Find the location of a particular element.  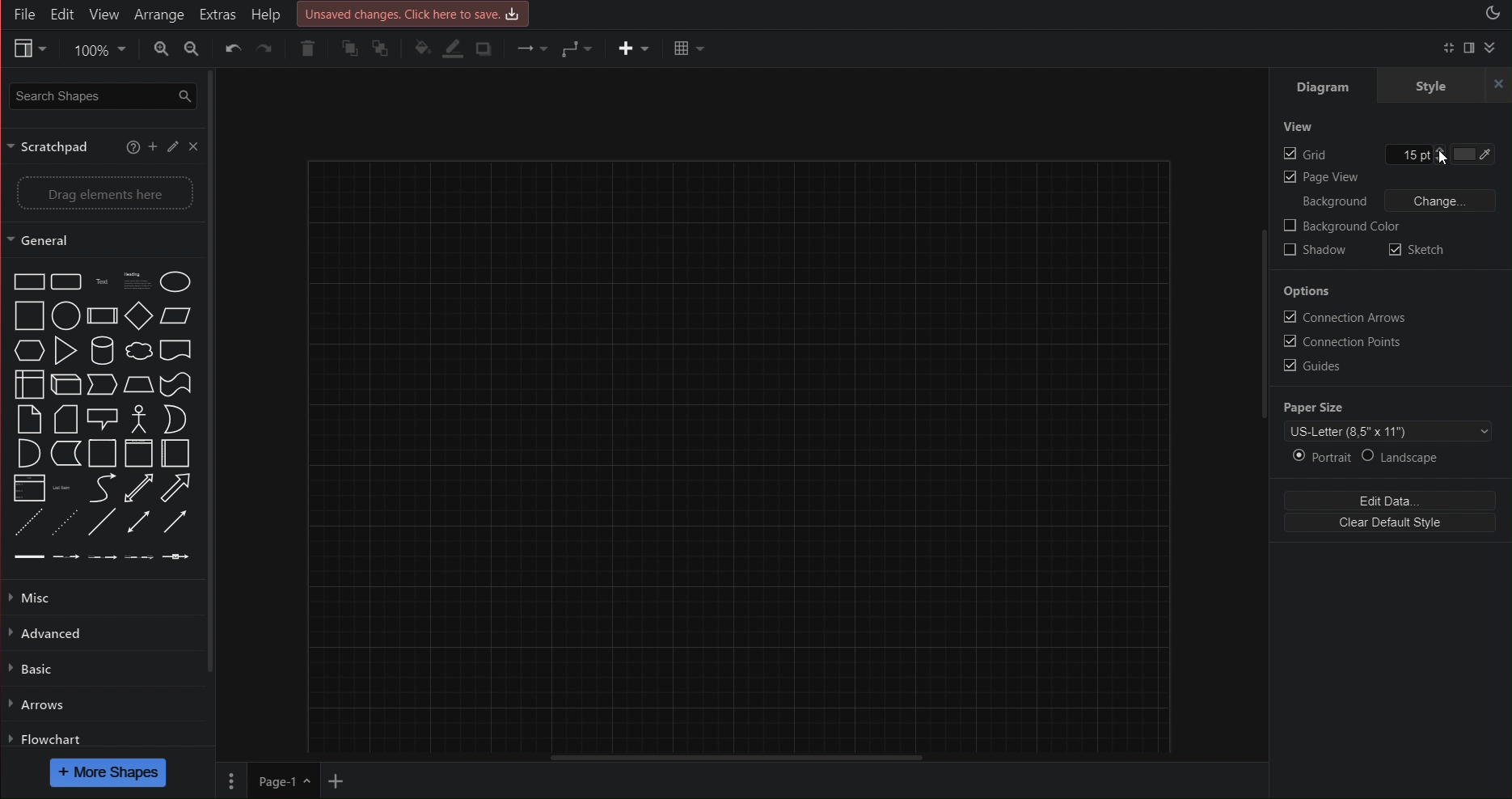

ellipse is located at coordinates (68, 315).